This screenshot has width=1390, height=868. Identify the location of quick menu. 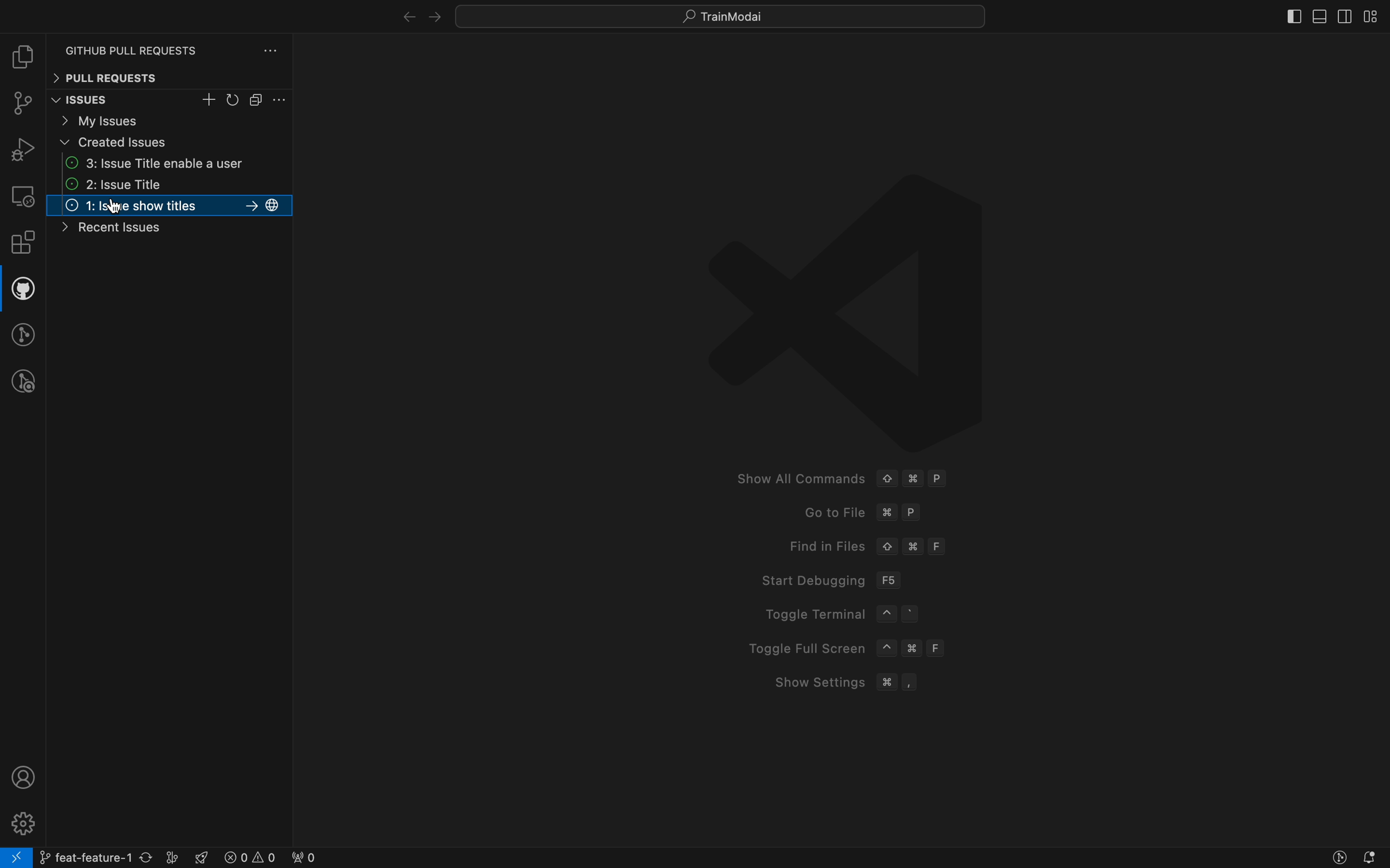
(721, 14).